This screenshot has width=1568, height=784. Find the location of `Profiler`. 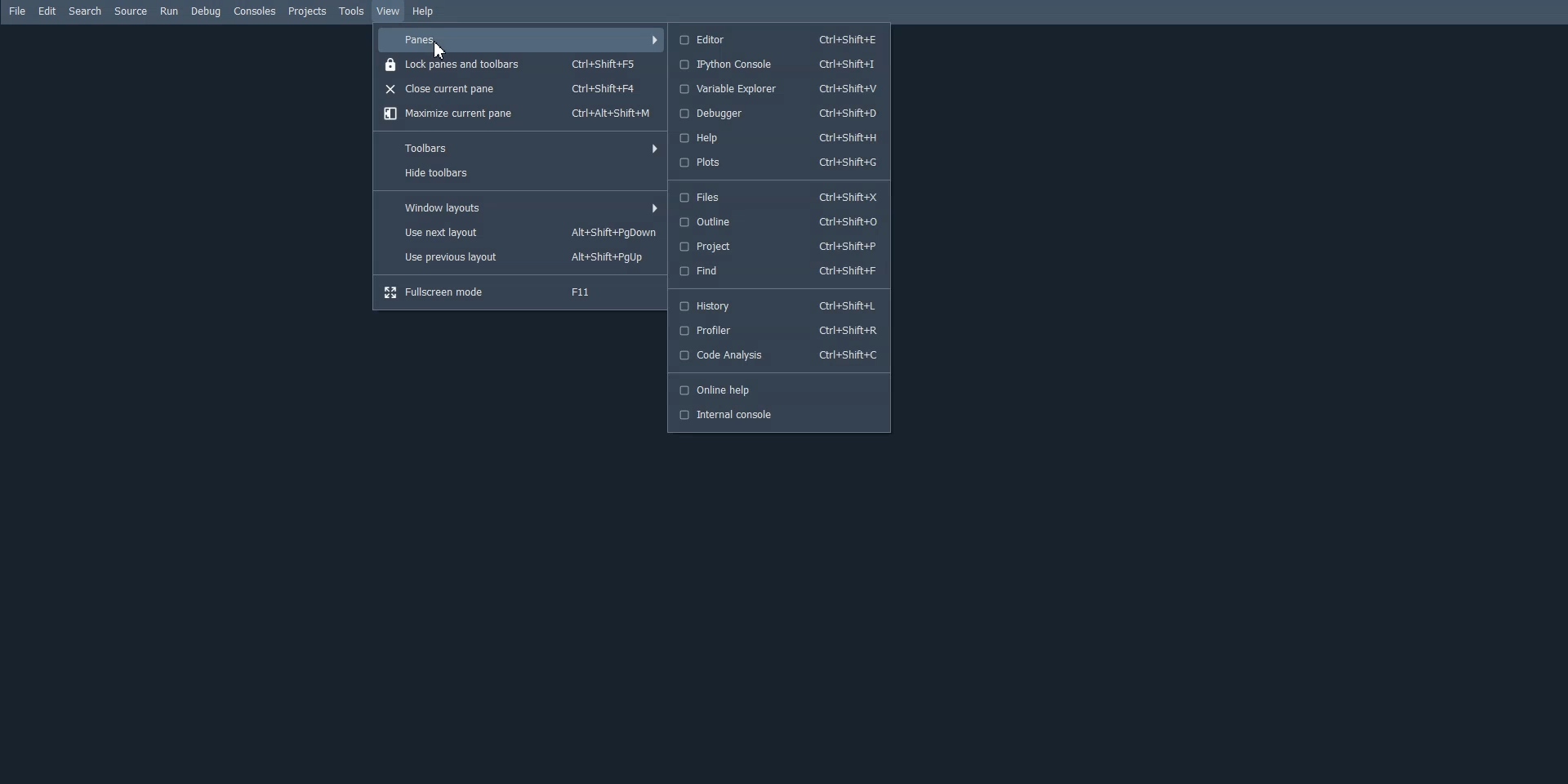

Profiler is located at coordinates (777, 330).